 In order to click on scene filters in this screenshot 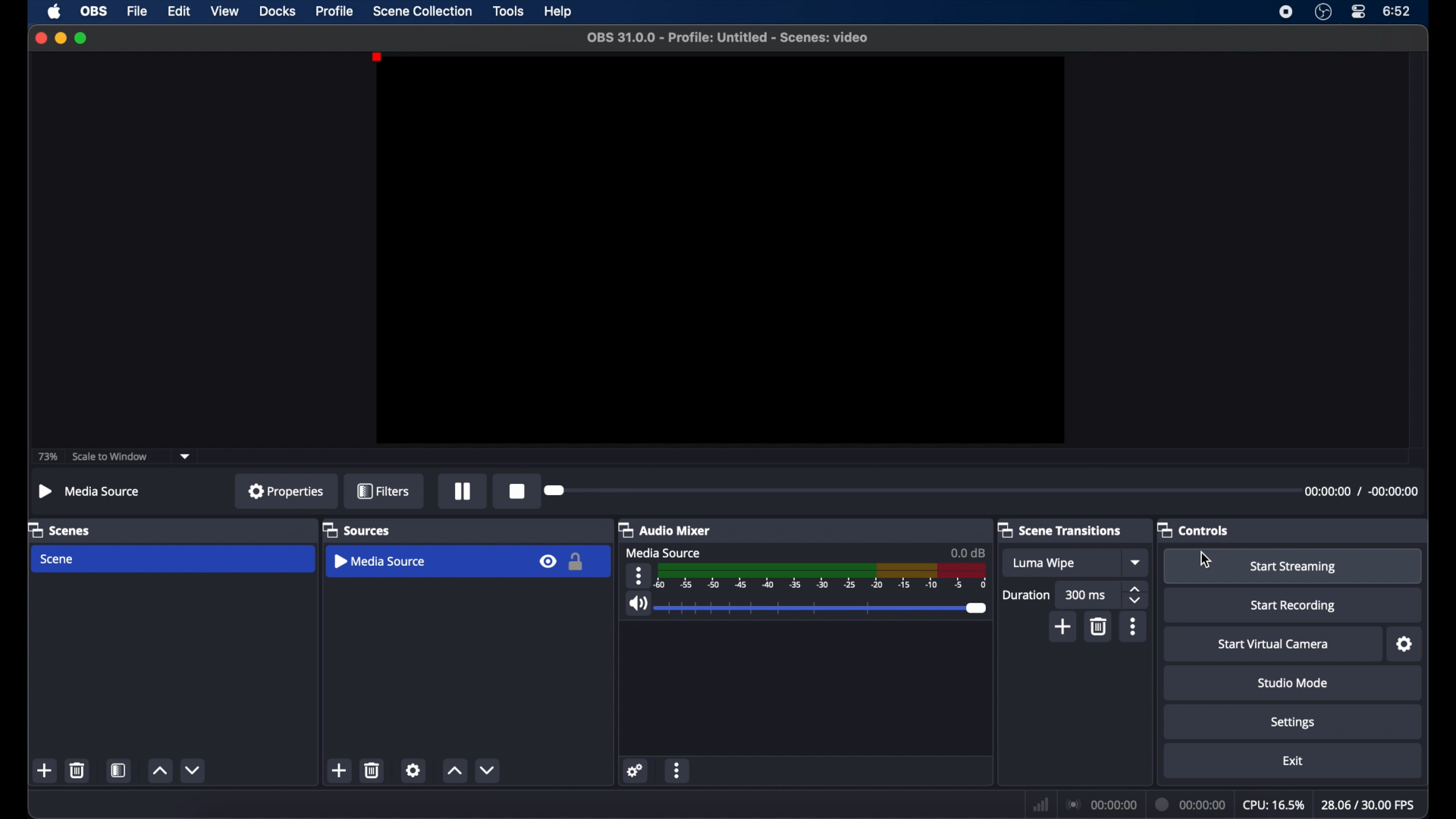, I will do `click(119, 770)`.